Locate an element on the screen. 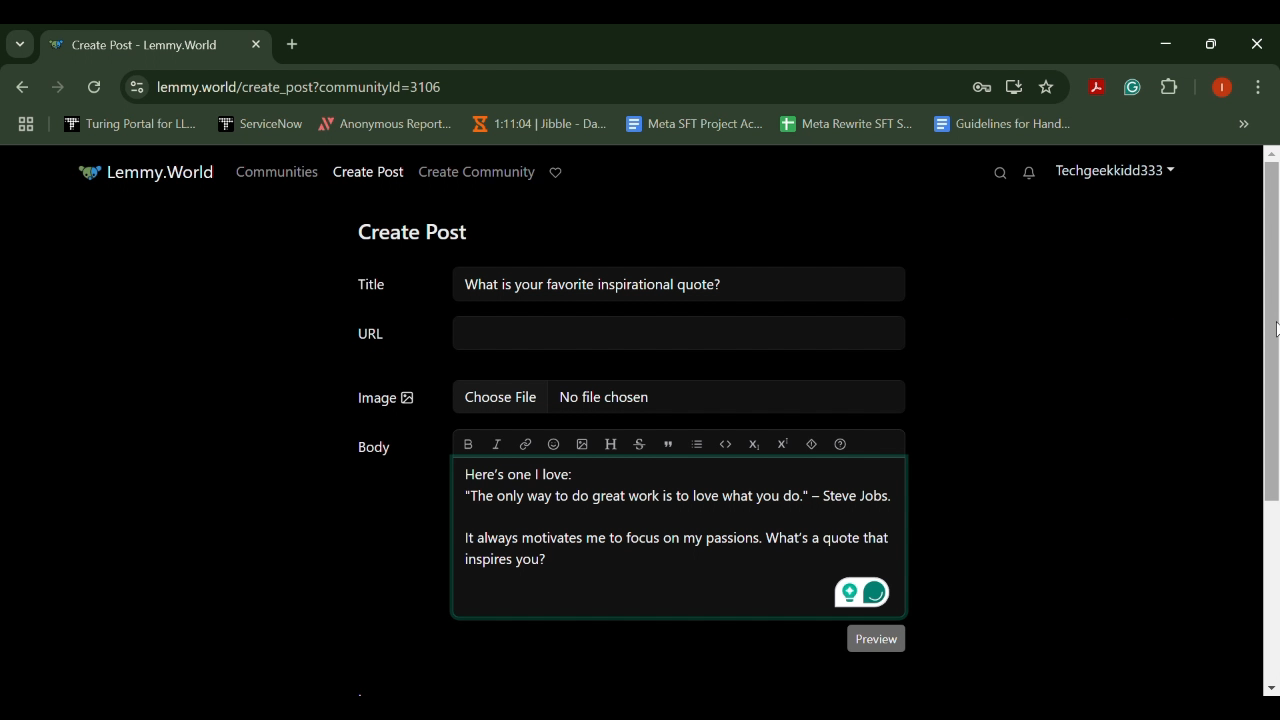  ServiceNow is located at coordinates (261, 123).